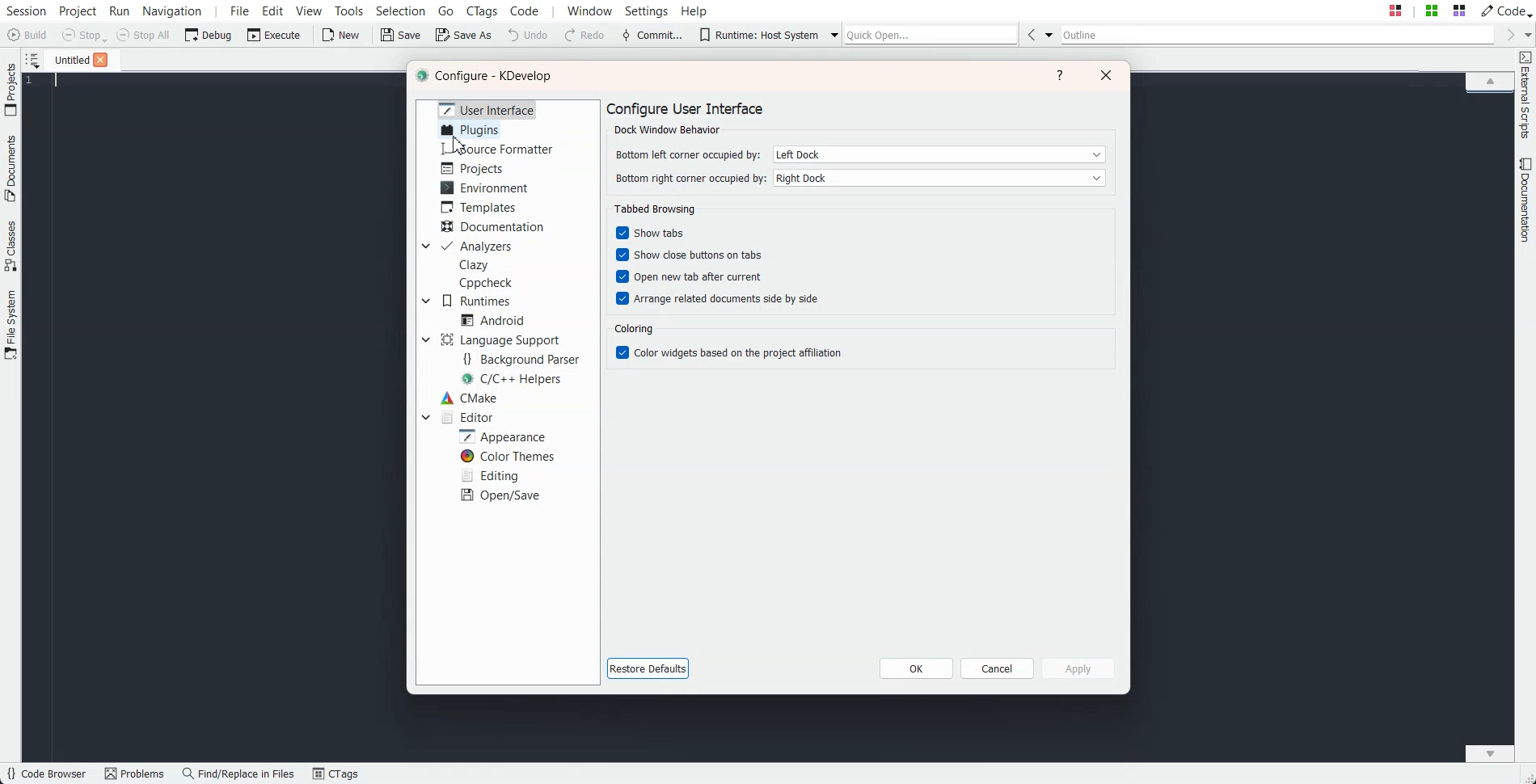  What do you see at coordinates (687, 179) in the screenshot?
I see `Bottom right corner occupied by` at bounding box center [687, 179].